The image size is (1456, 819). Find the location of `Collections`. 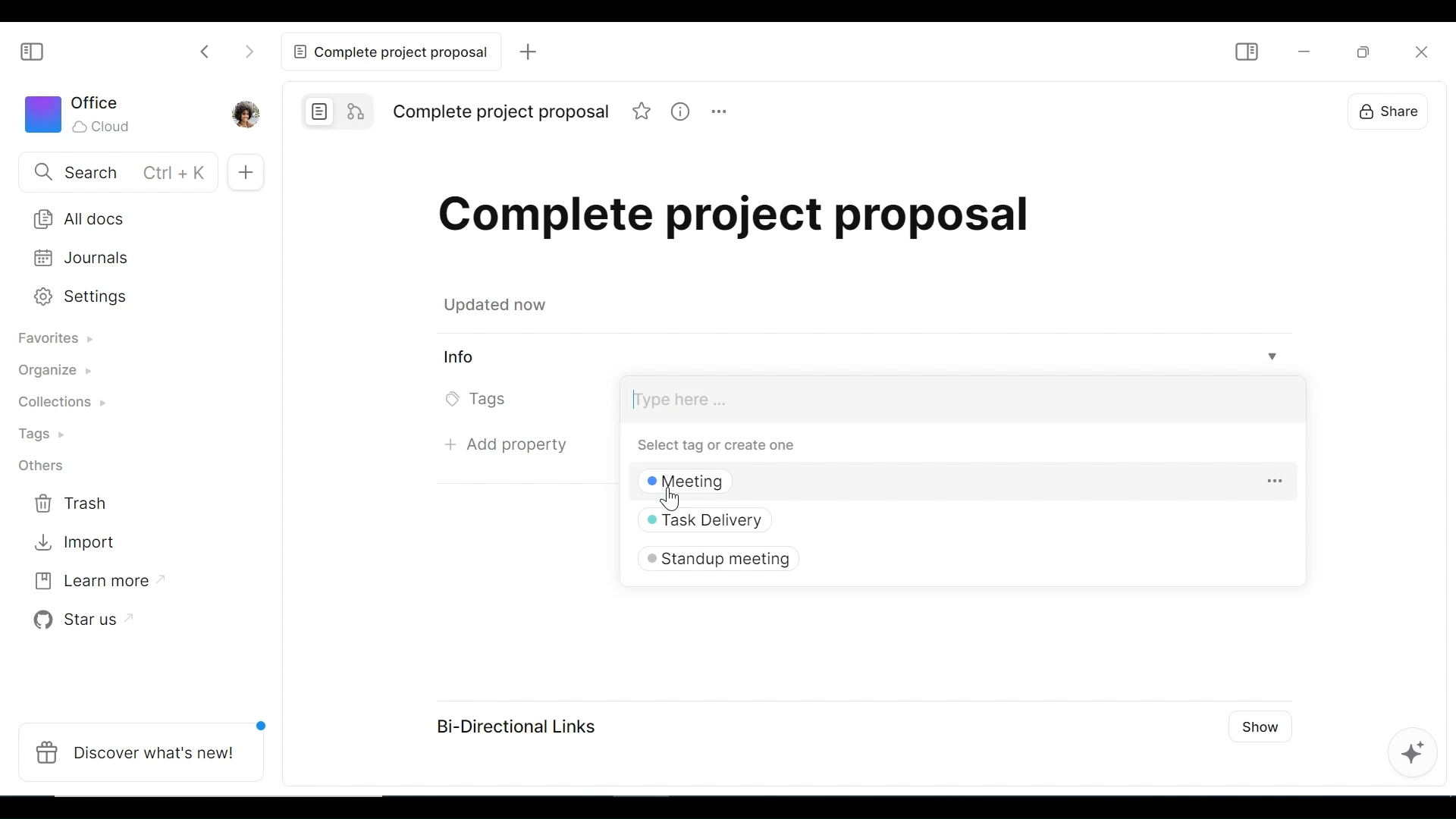

Collections is located at coordinates (71, 404).